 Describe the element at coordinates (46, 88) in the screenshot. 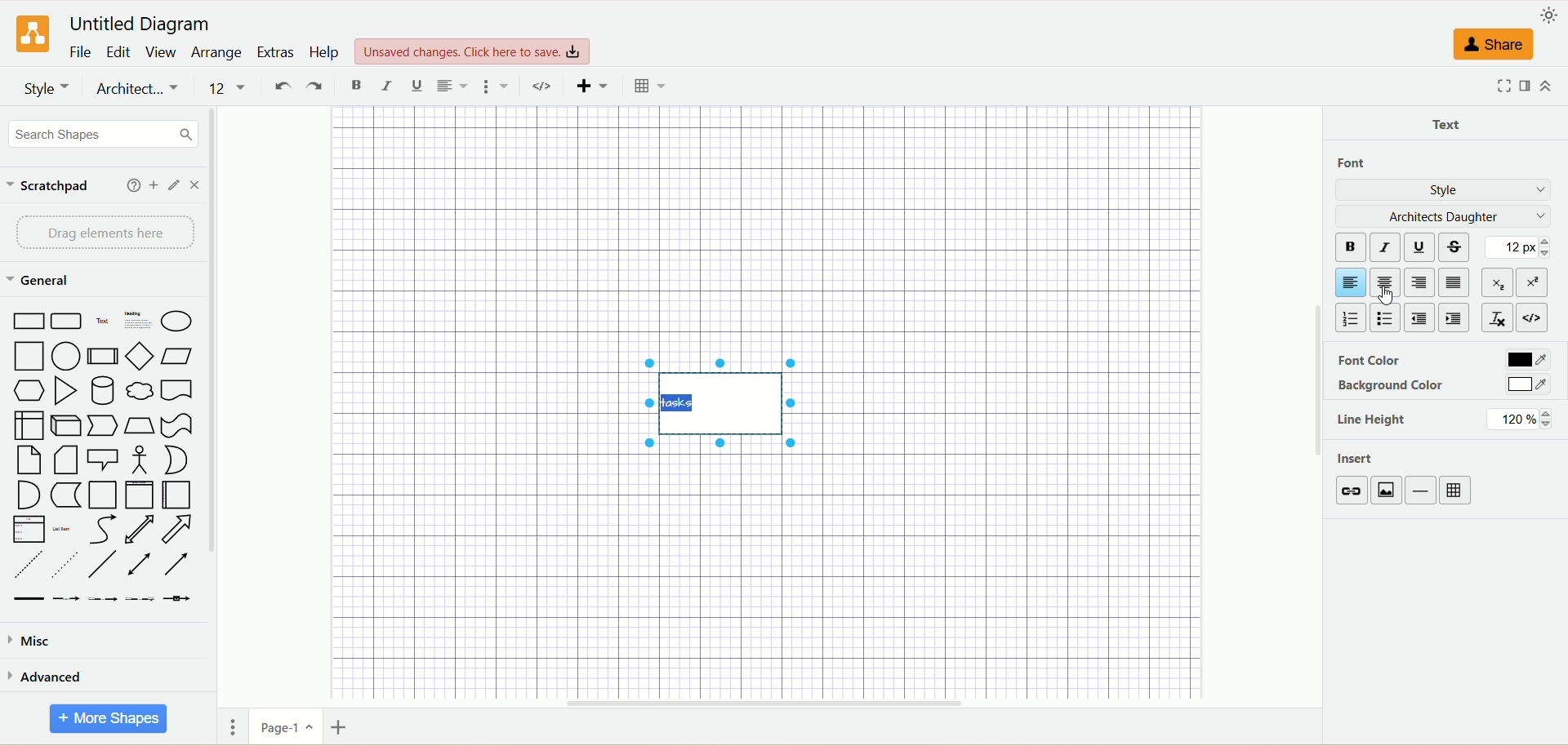

I see `Style` at that location.